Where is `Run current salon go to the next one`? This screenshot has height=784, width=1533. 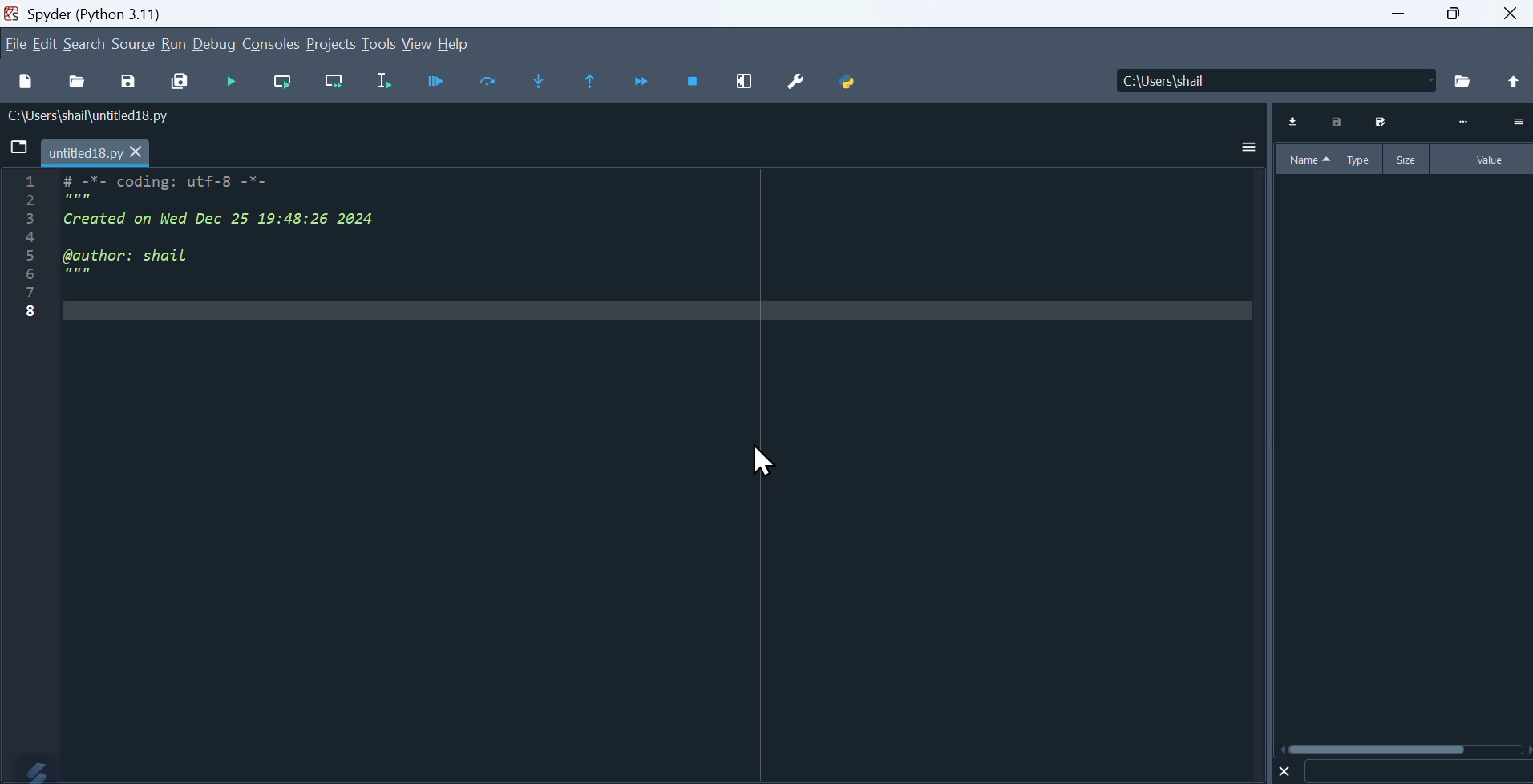 Run current salon go to the next one is located at coordinates (334, 82).